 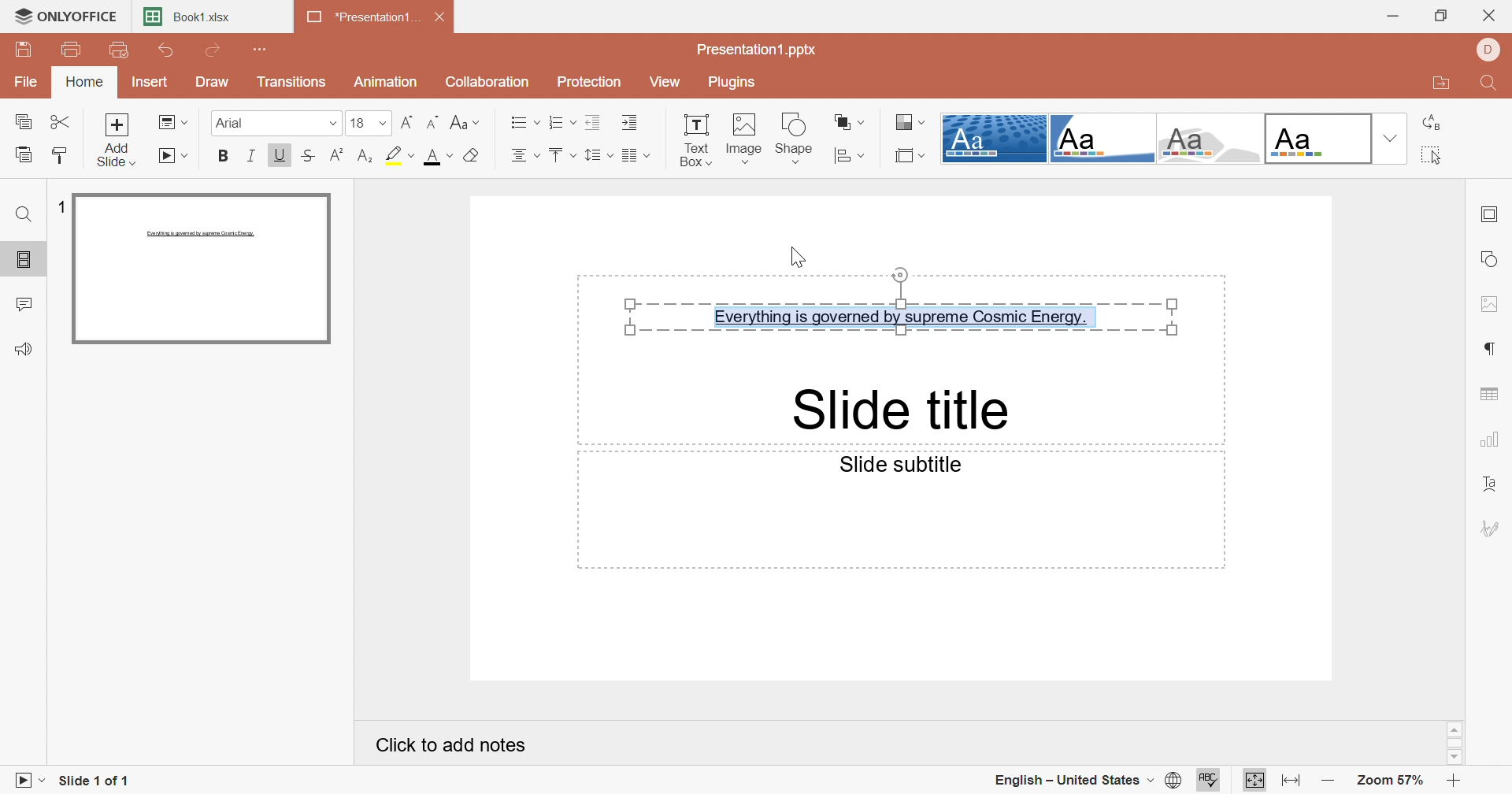 I want to click on Change case, so click(x=462, y=122).